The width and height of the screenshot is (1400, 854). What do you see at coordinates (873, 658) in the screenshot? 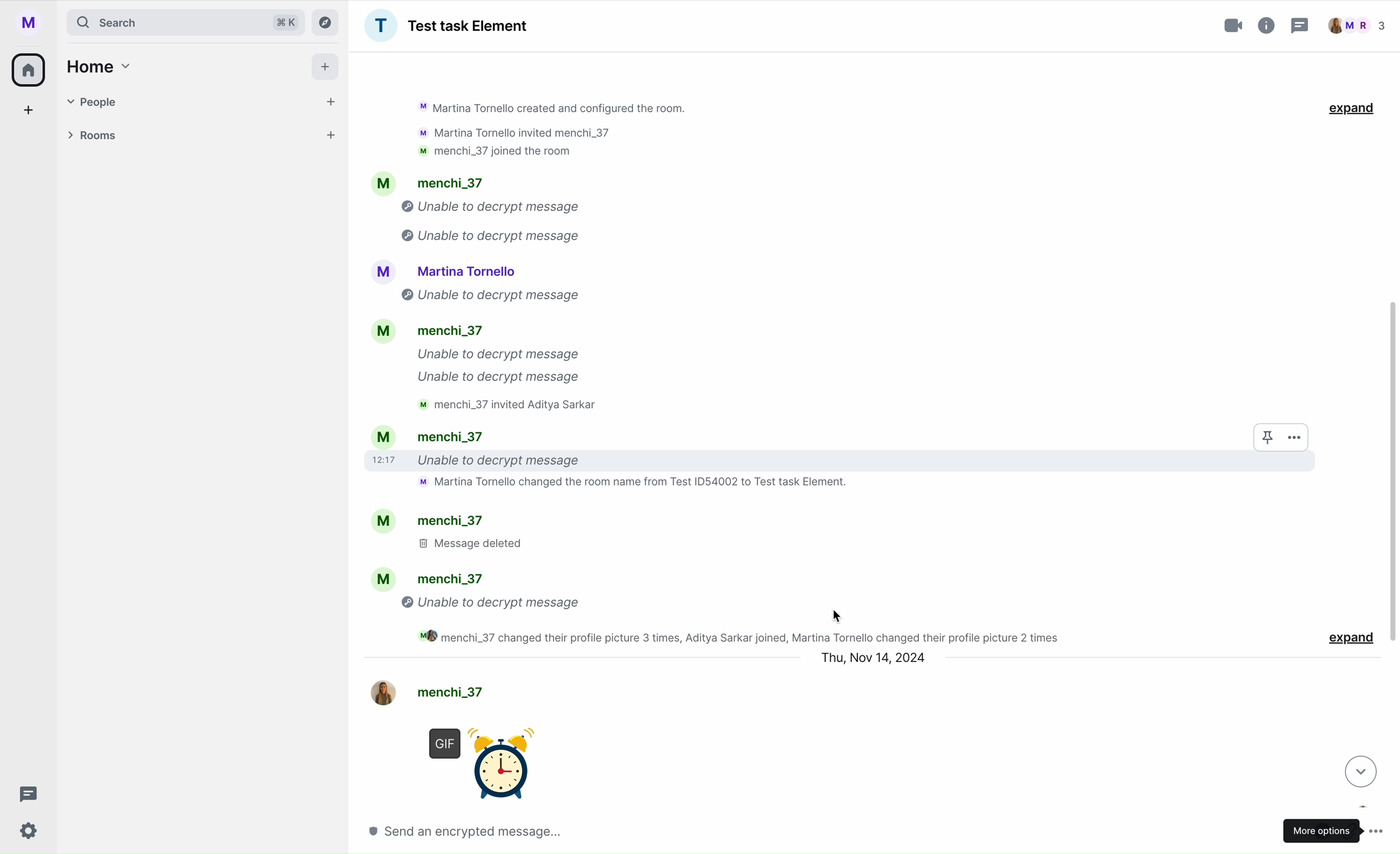
I see `date` at bounding box center [873, 658].